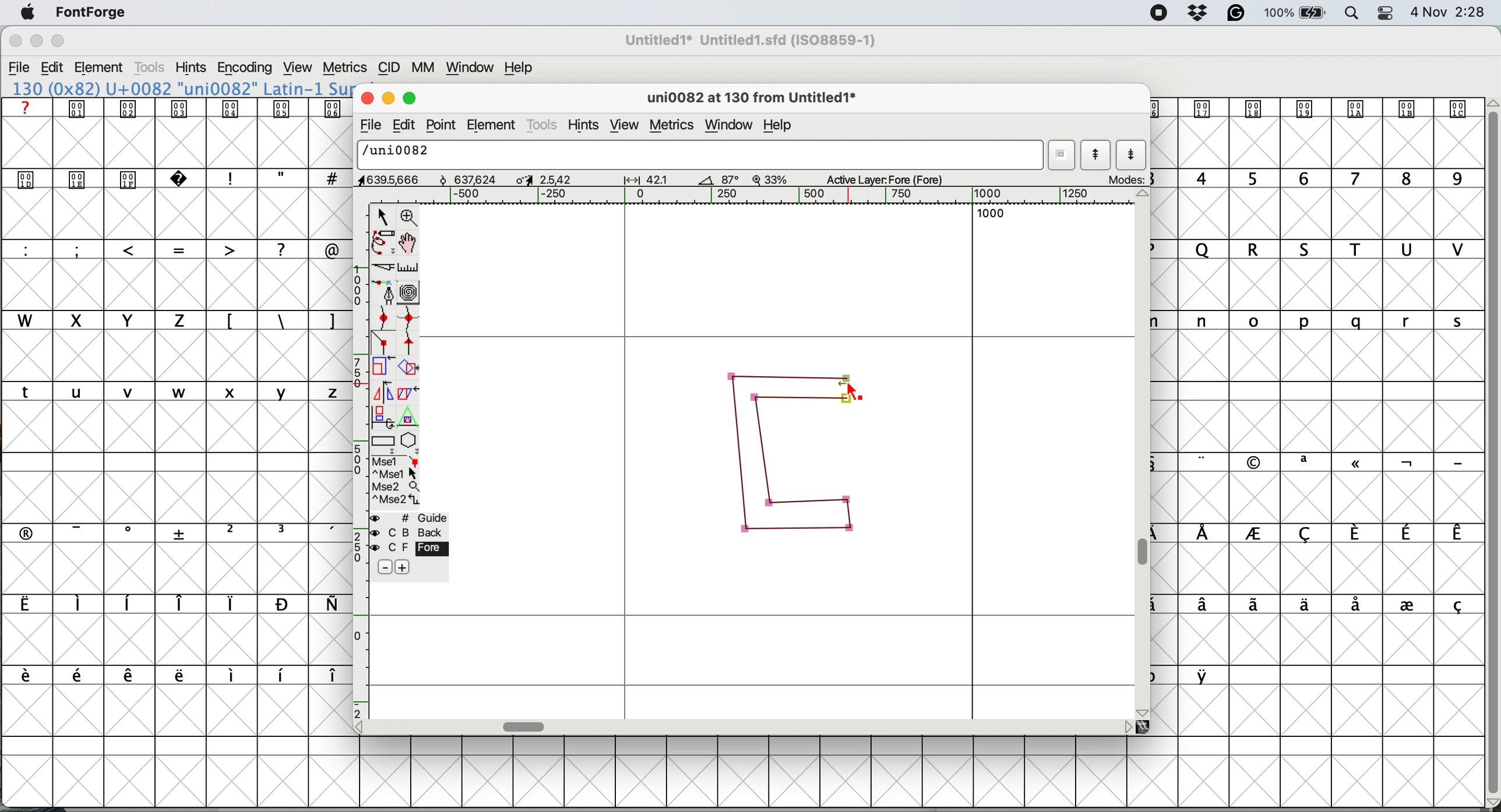 Image resolution: width=1501 pixels, height=812 pixels. I want to click on current word list, so click(1060, 155).